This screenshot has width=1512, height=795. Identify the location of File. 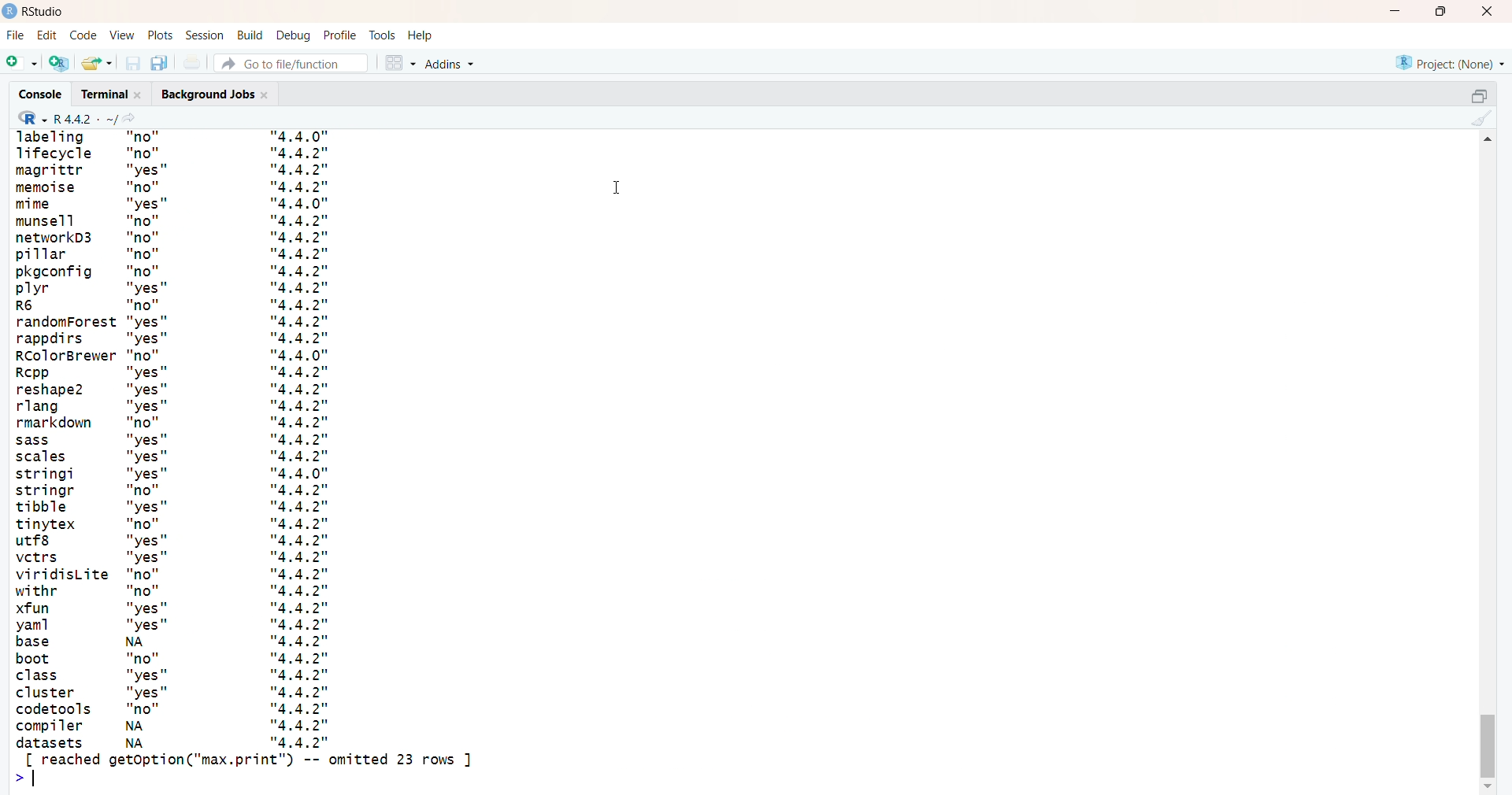
(13, 37).